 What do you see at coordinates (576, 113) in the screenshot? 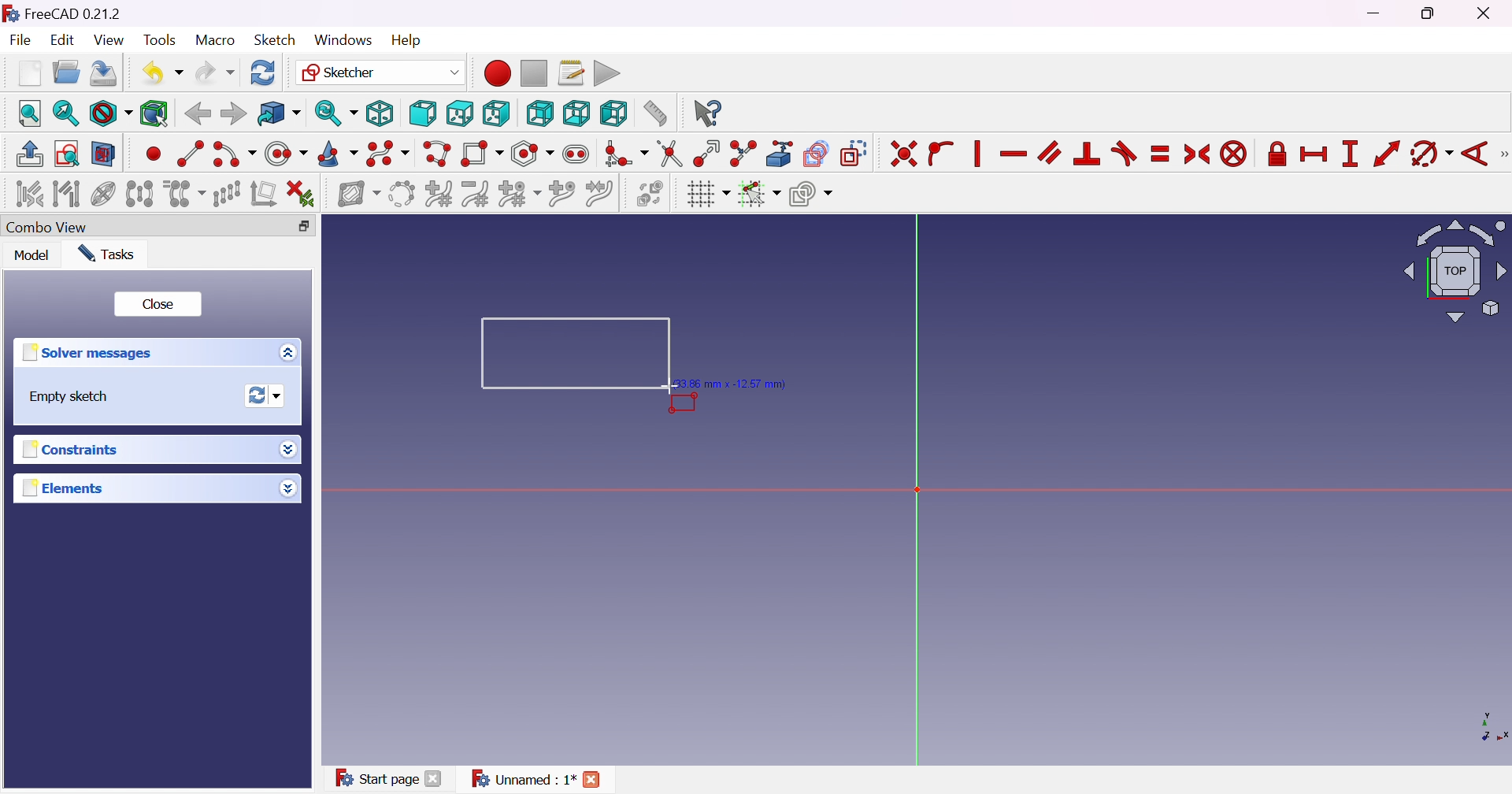
I see `Bottom` at bounding box center [576, 113].